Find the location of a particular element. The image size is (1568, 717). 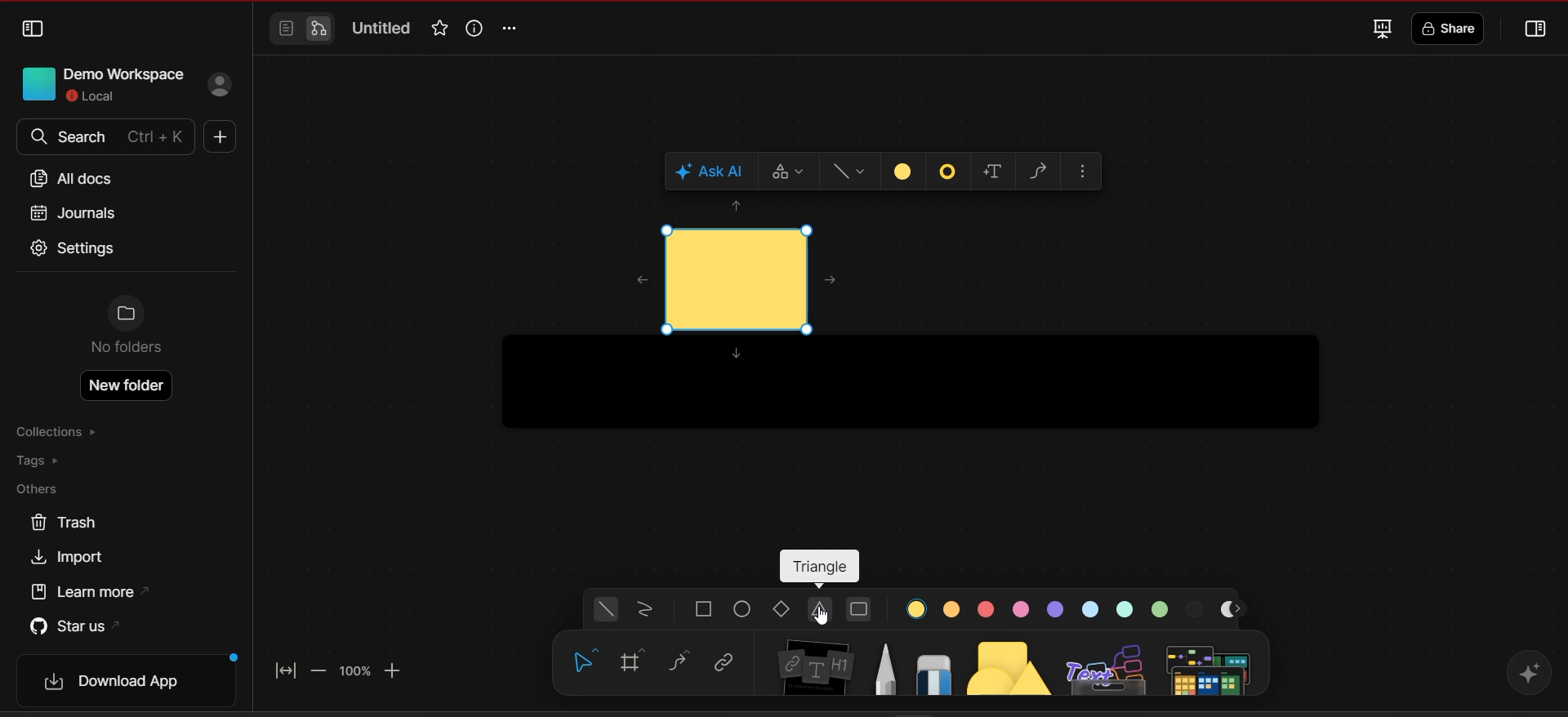

switch is located at coordinates (301, 29).